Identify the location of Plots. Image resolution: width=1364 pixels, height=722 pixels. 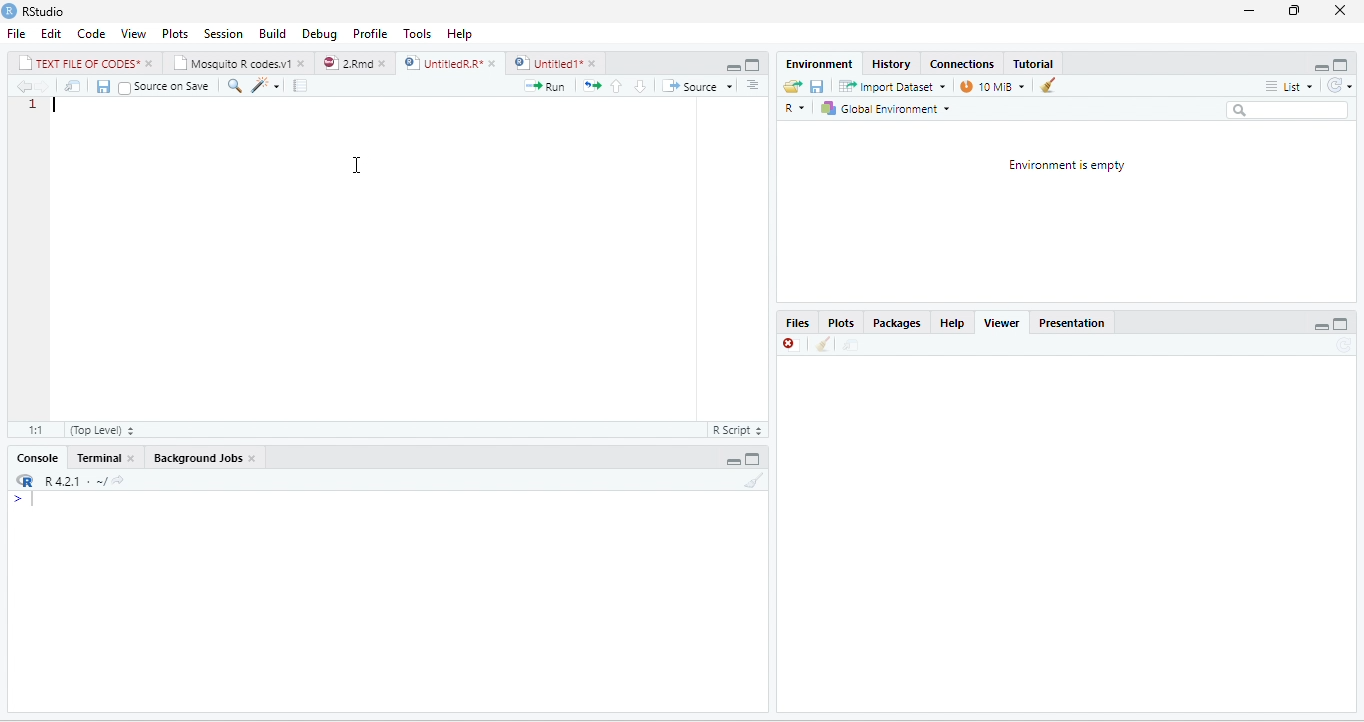
(845, 323).